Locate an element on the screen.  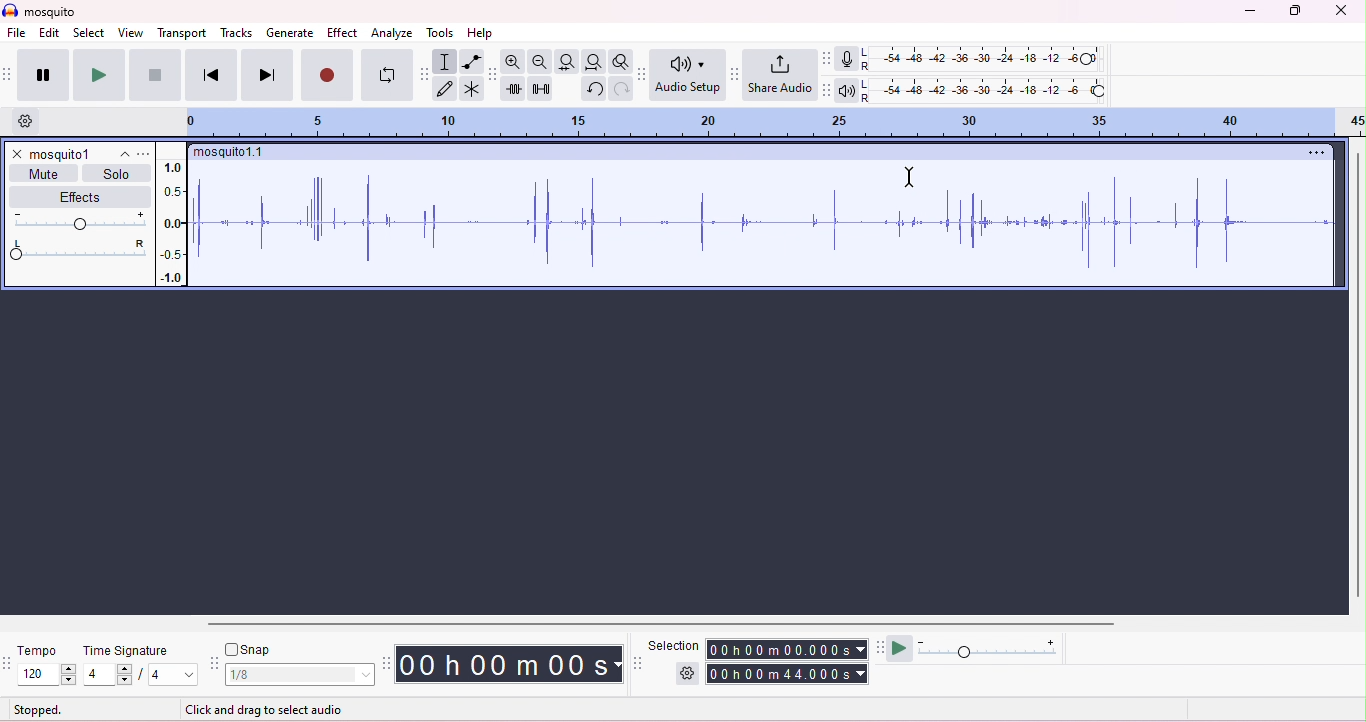
tempo is located at coordinates (35, 650).